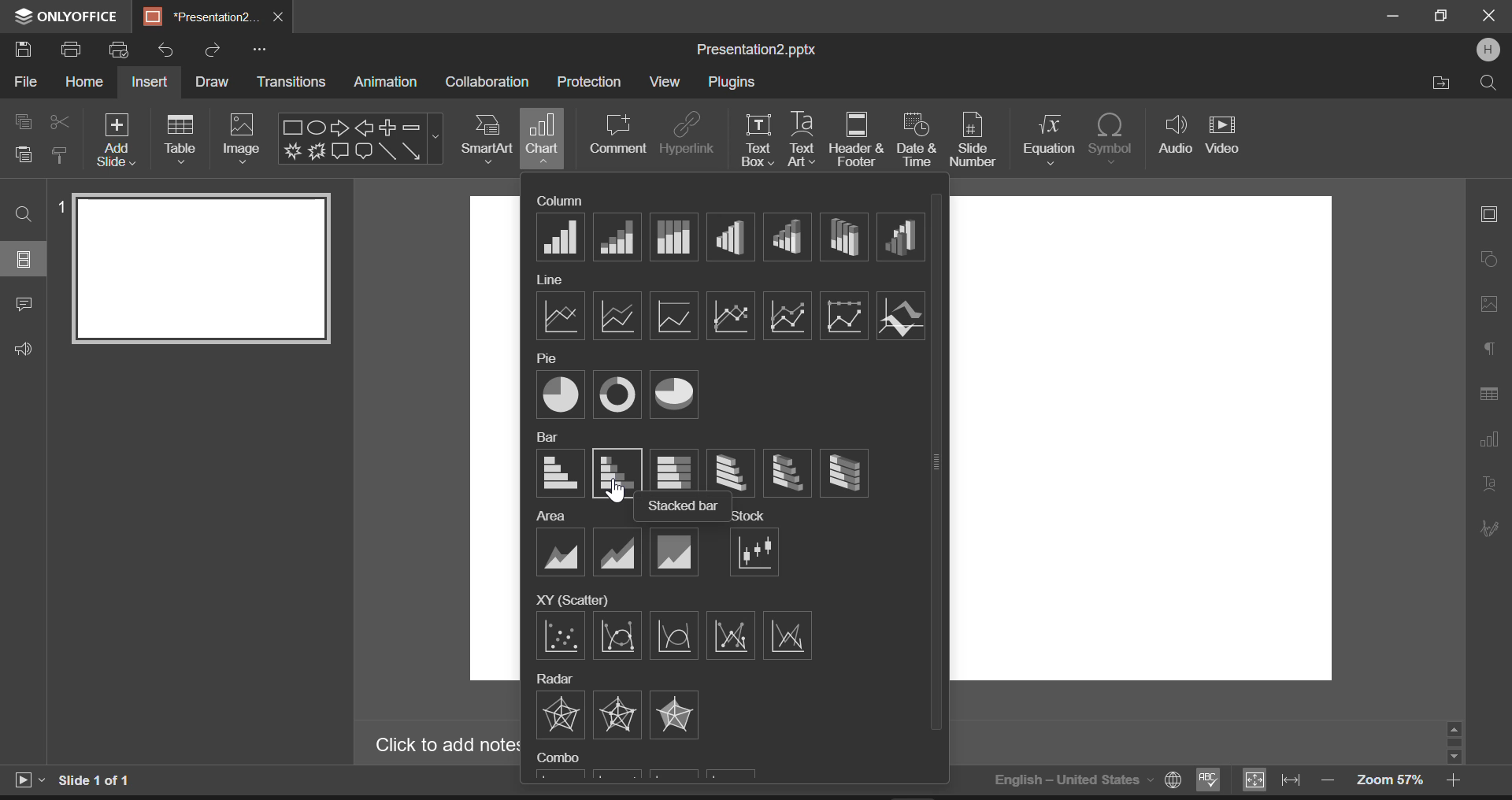 This screenshot has height=800, width=1512. Describe the element at coordinates (674, 394) in the screenshot. I see `3-D Pie` at that location.